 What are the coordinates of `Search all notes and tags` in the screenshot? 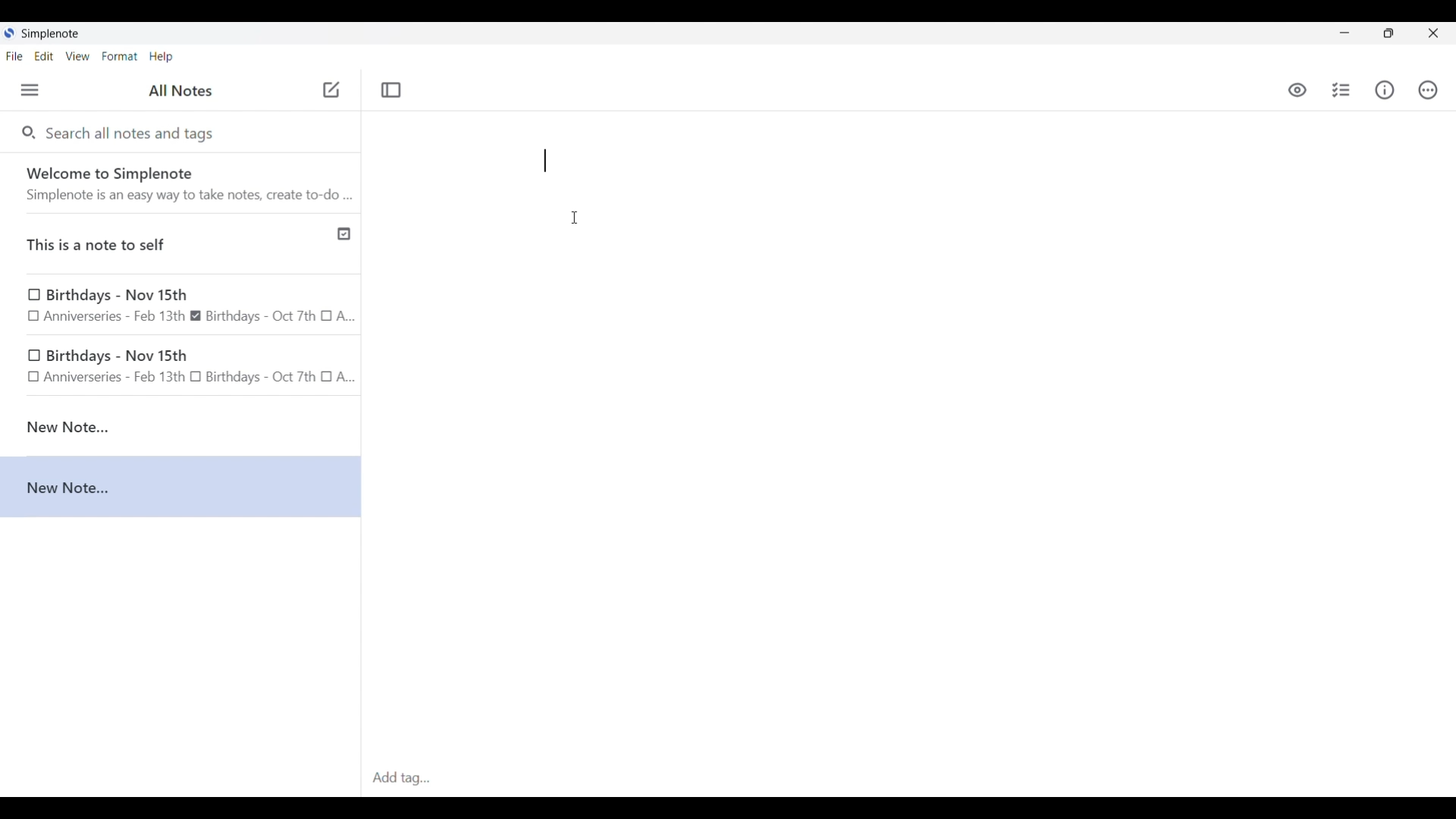 It's located at (133, 132).